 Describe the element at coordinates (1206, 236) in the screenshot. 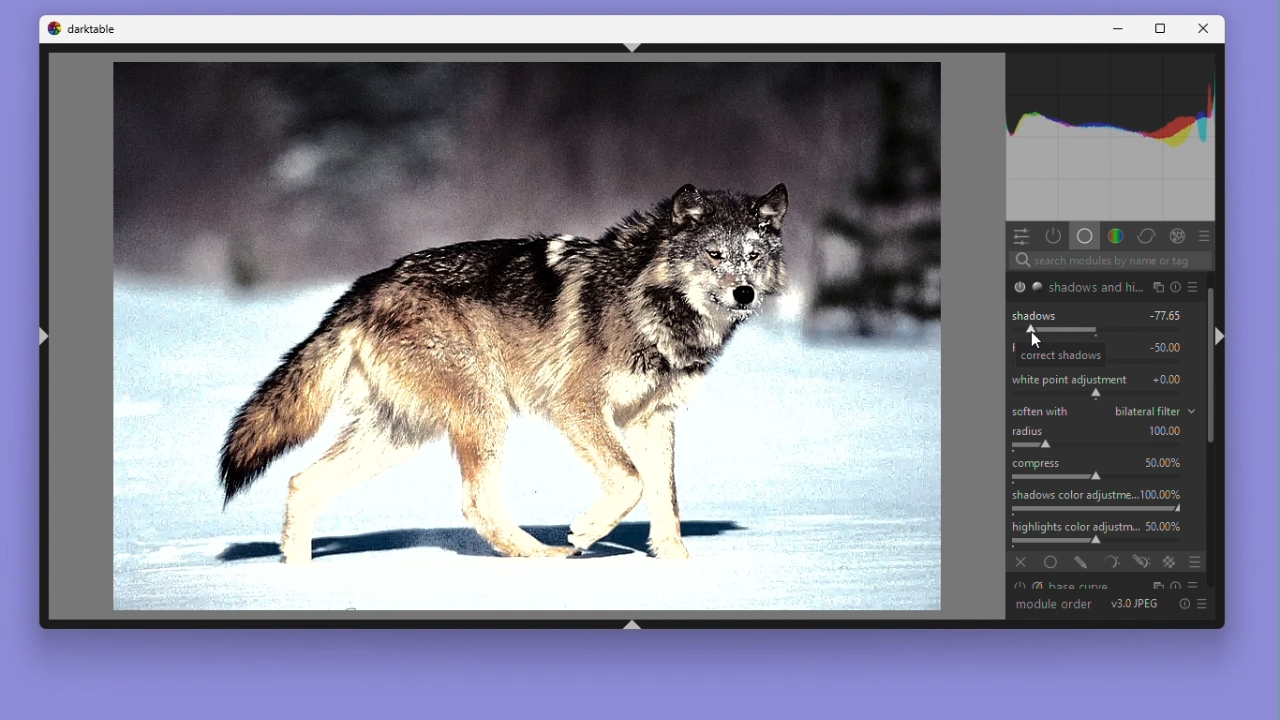

I see `preset` at that location.